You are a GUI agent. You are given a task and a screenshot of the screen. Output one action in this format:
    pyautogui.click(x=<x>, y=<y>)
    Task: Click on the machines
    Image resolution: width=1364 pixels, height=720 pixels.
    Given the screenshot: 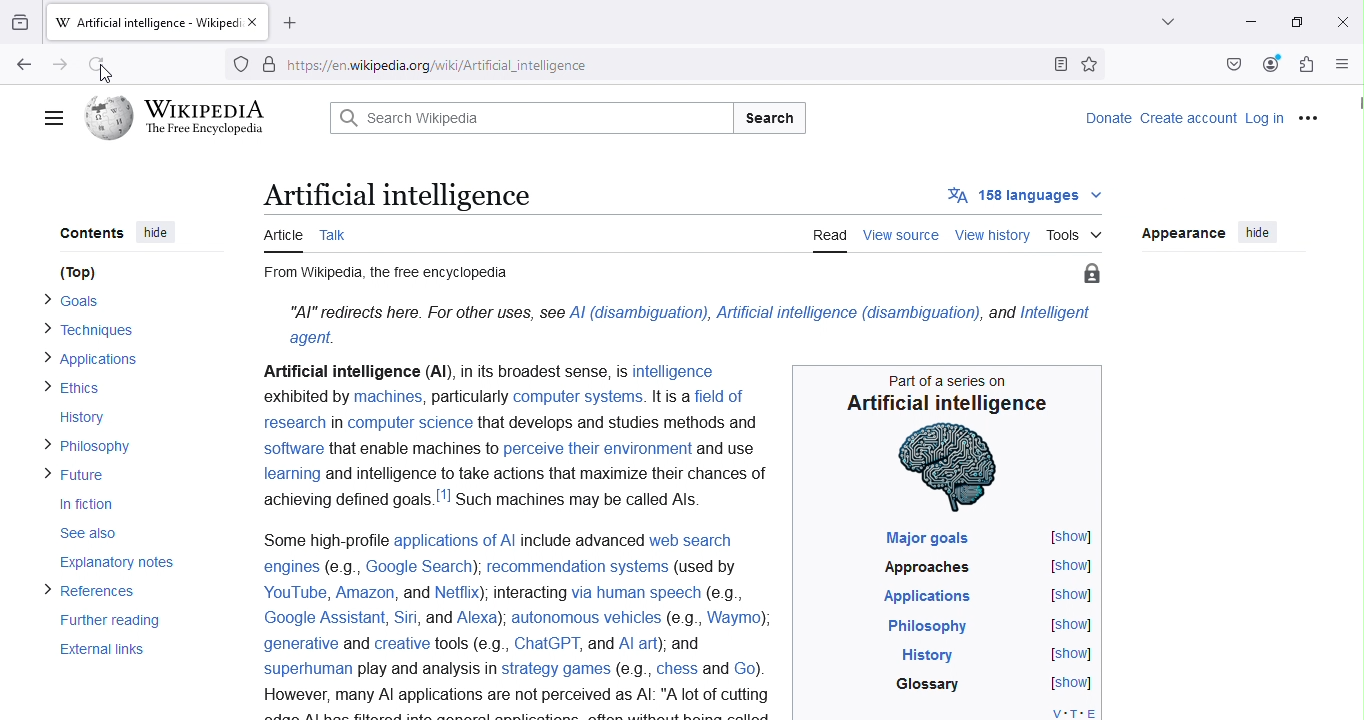 What is the action you would take?
    pyautogui.click(x=389, y=397)
    